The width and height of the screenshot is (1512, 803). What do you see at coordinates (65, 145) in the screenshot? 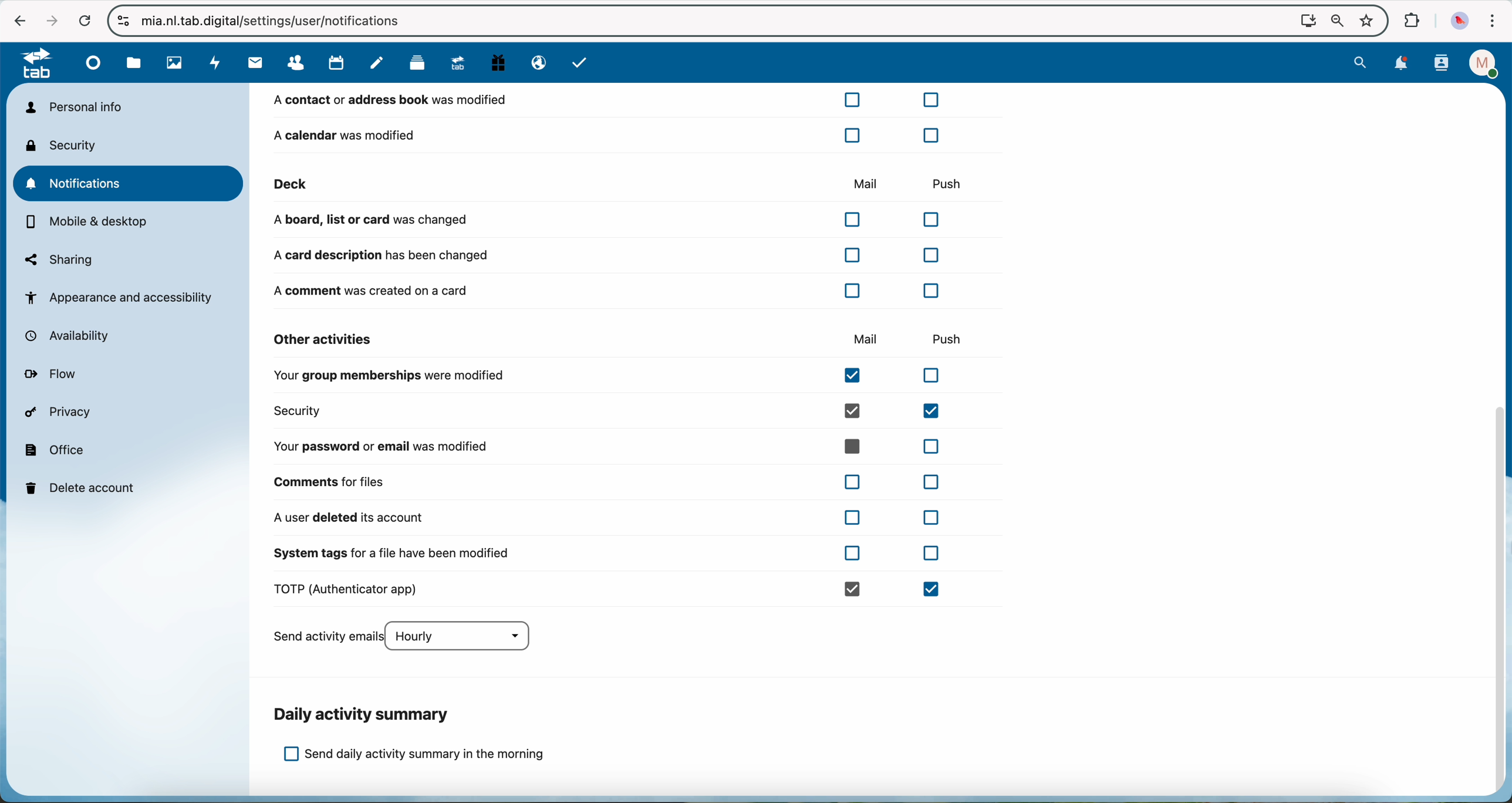
I see `security` at bounding box center [65, 145].